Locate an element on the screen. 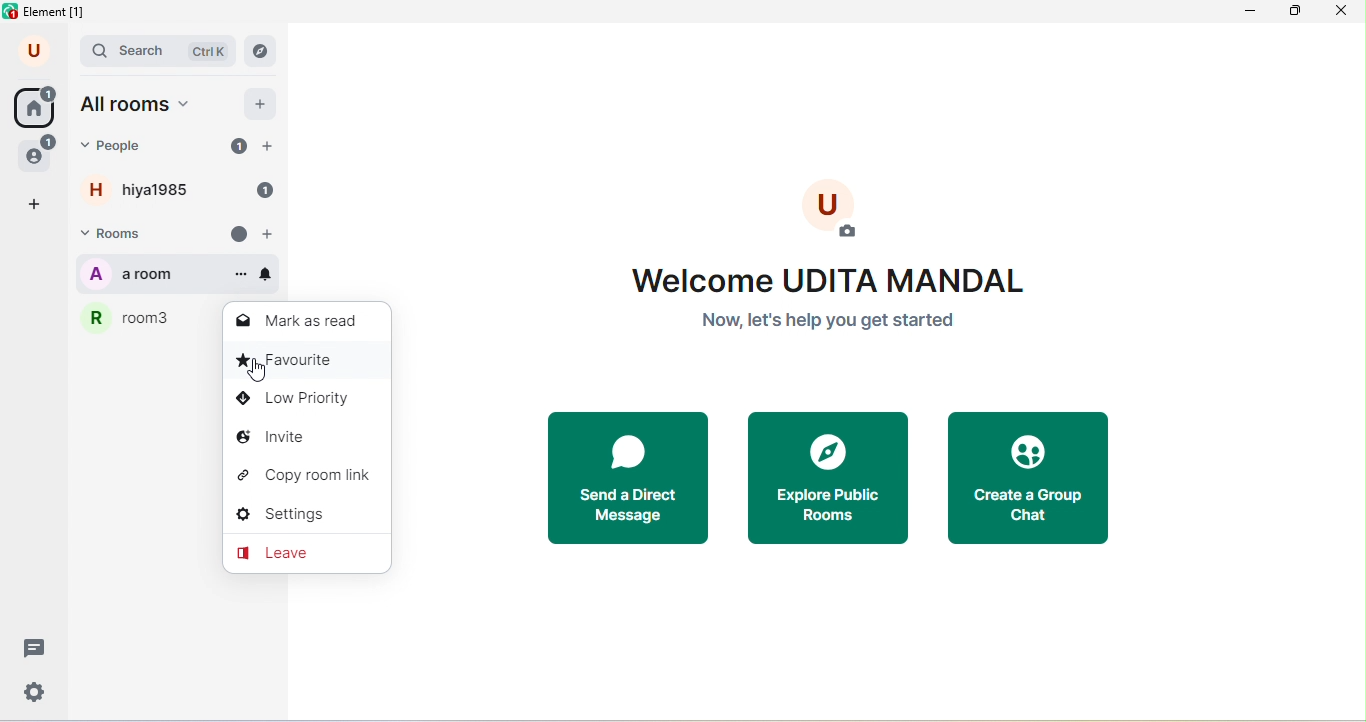 The width and height of the screenshot is (1366, 722). settings is located at coordinates (307, 516).